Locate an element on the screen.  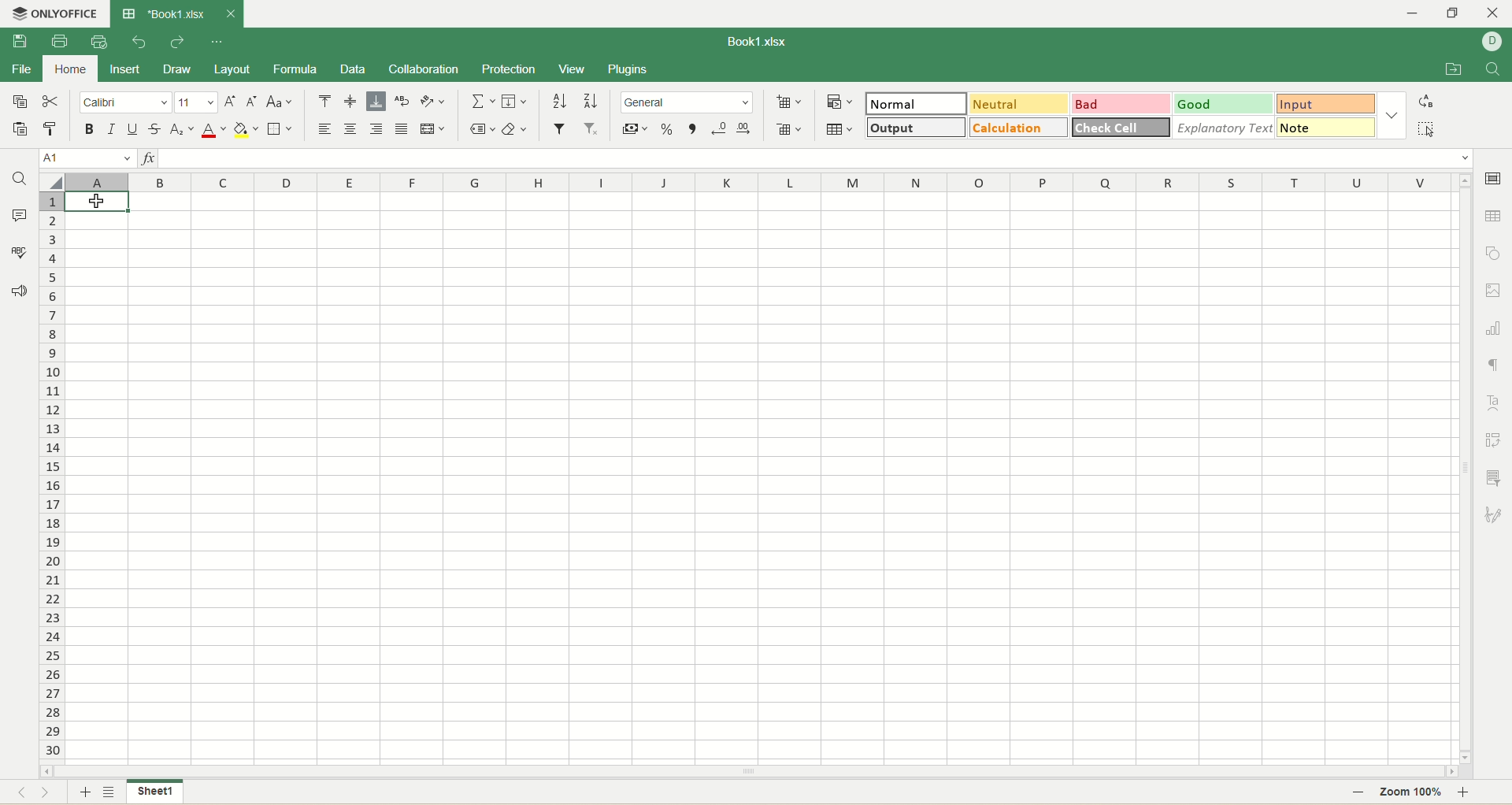
align bottom is located at coordinates (376, 102).